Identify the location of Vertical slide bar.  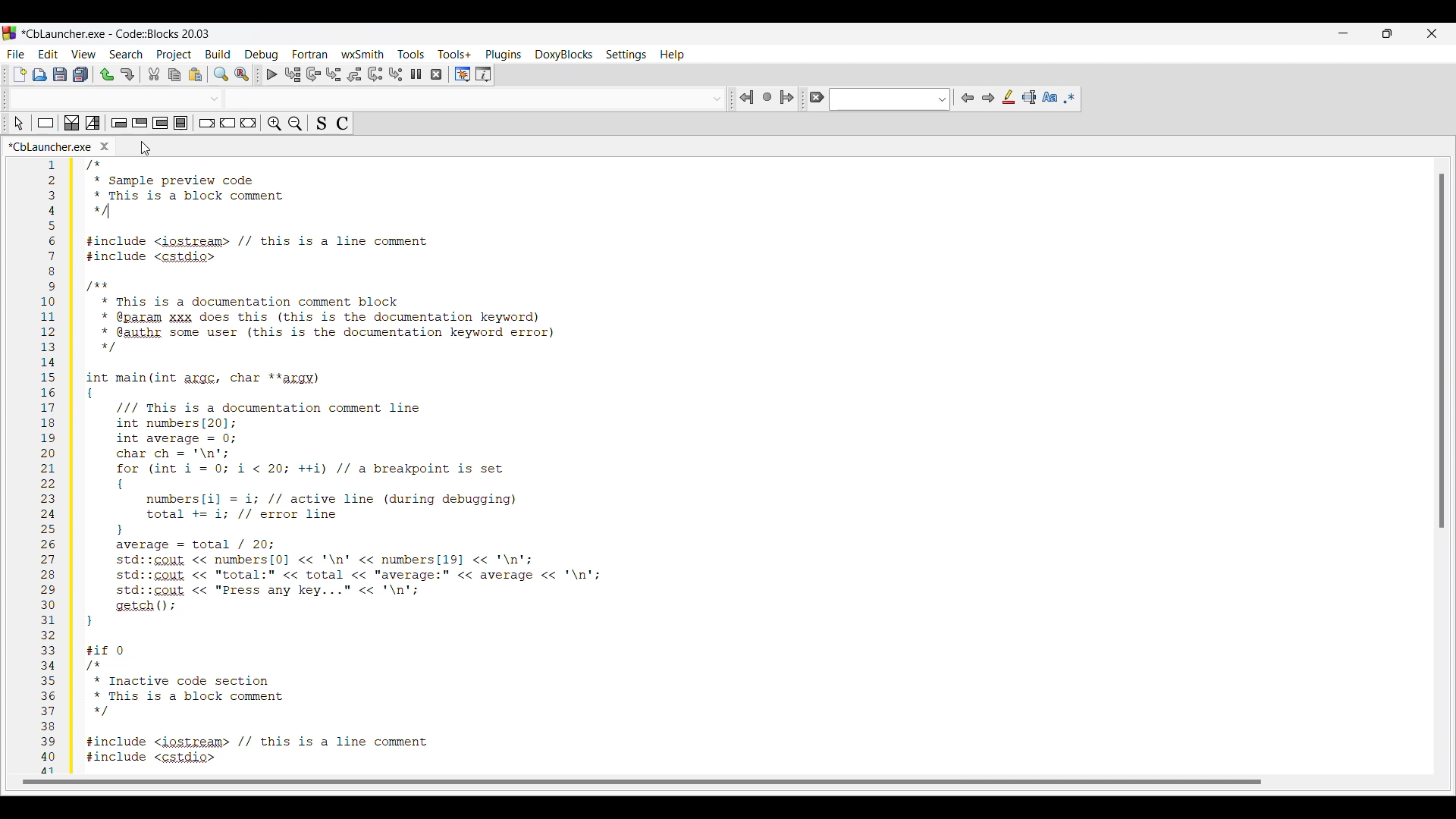
(1442, 353).